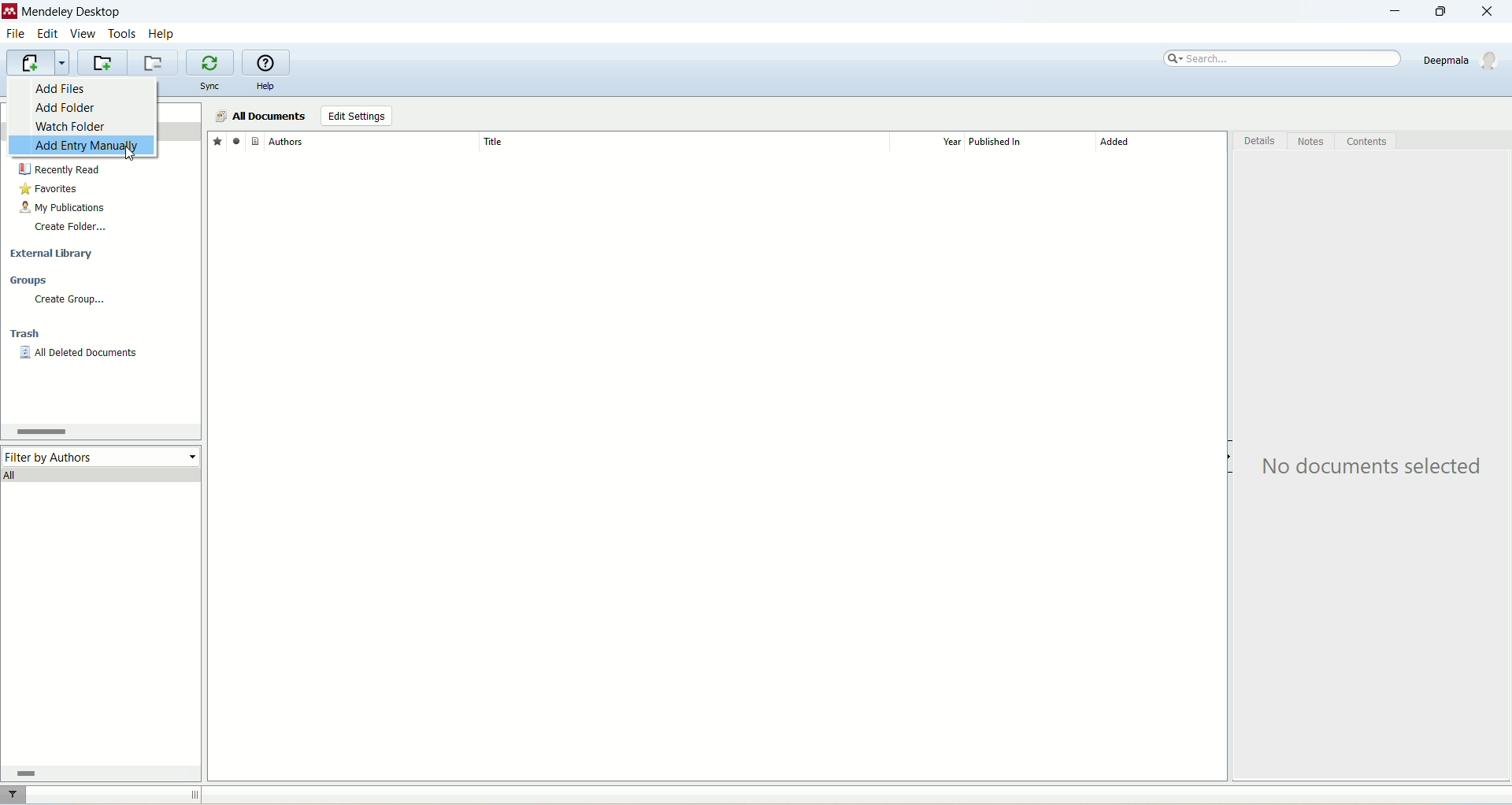 The width and height of the screenshot is (1512, 805). I want to click on title, so click(683, 141).